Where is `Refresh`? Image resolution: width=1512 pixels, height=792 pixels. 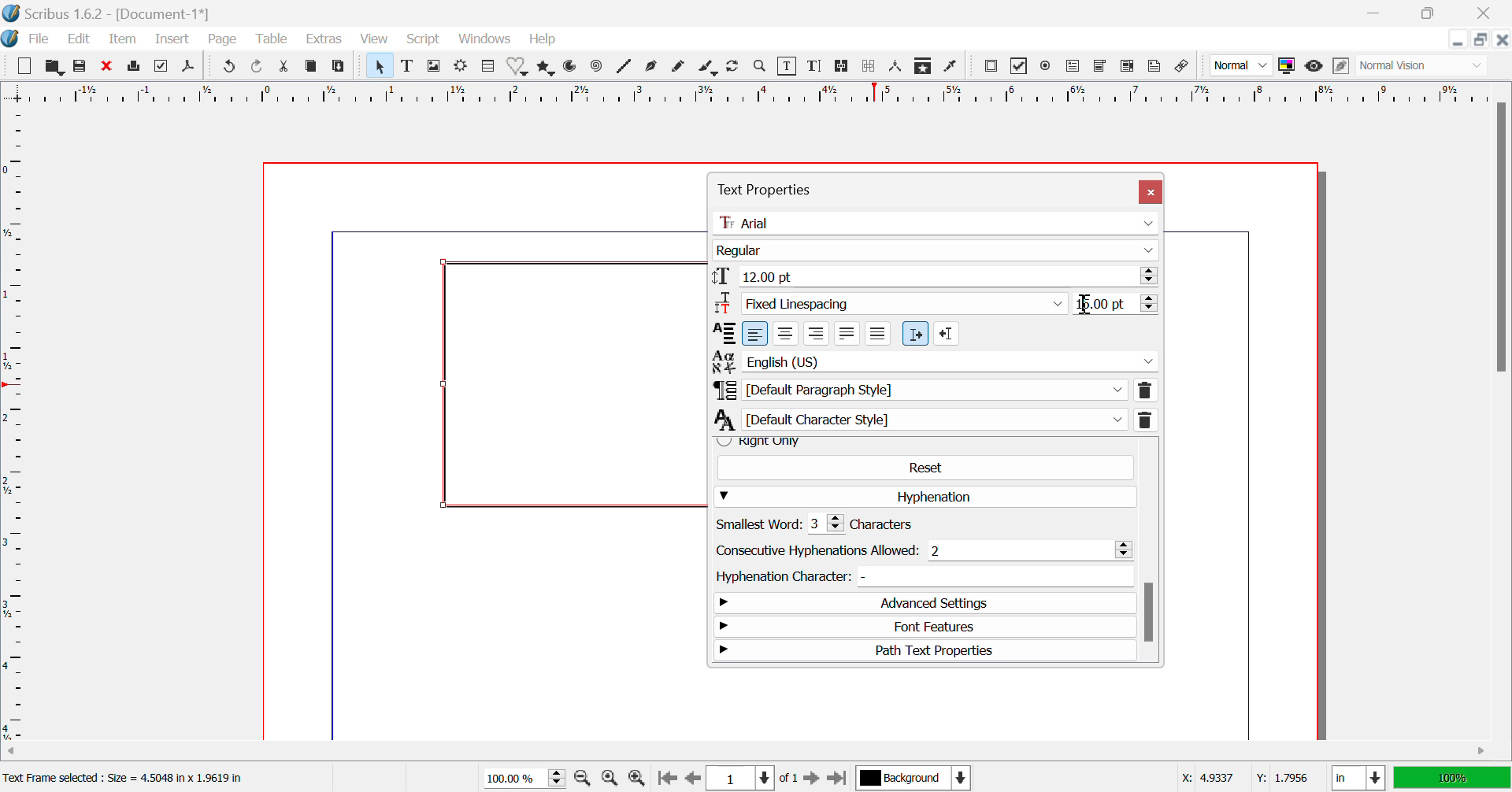
Refresh is located at coordinates (736, 68).